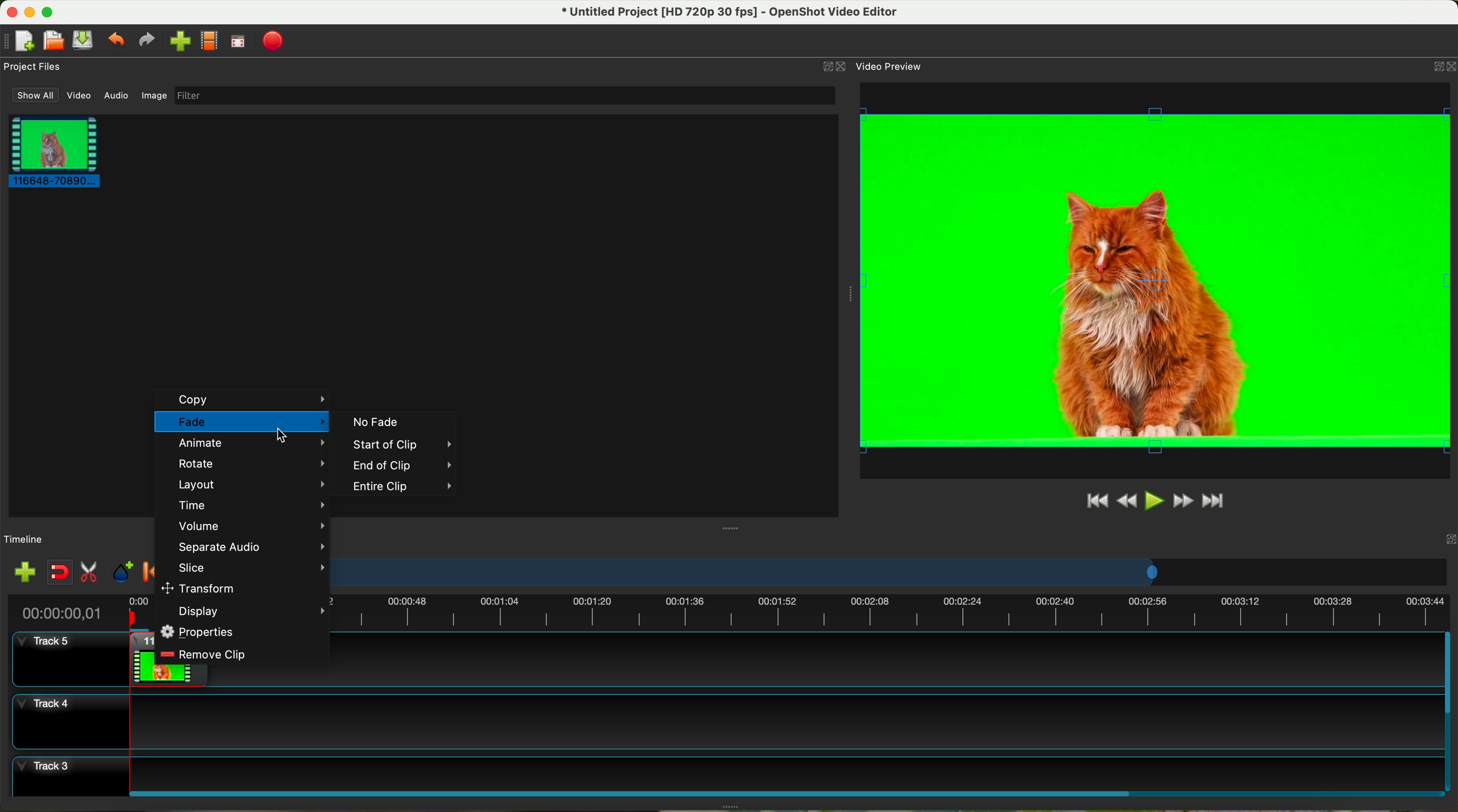  I want to click on add mark, so click(123, 572).